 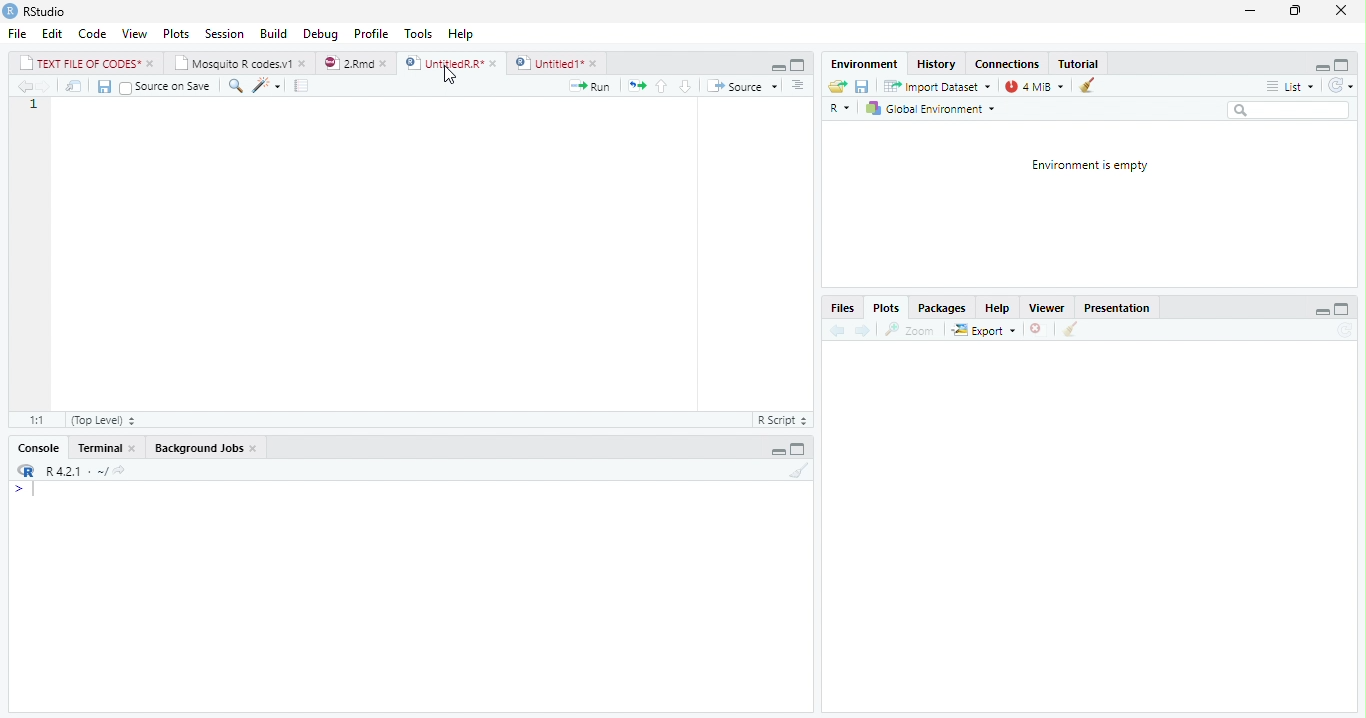 What do you see at coordinates (205, 450) in the screenshot?
I see `Background Jobs` at bounding box center [205, 450].